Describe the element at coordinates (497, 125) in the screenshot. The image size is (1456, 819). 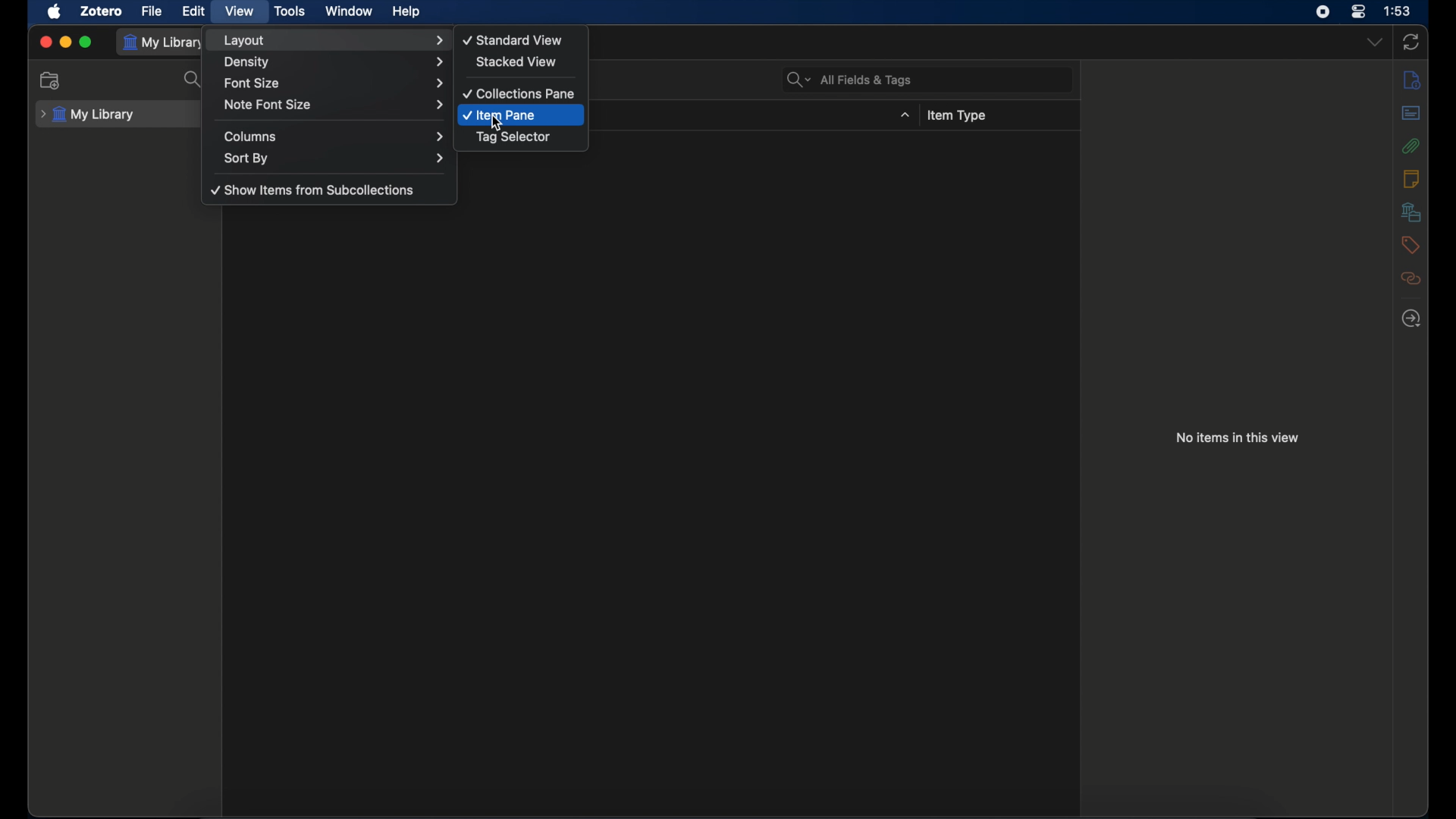
I see `cursor` at that location.